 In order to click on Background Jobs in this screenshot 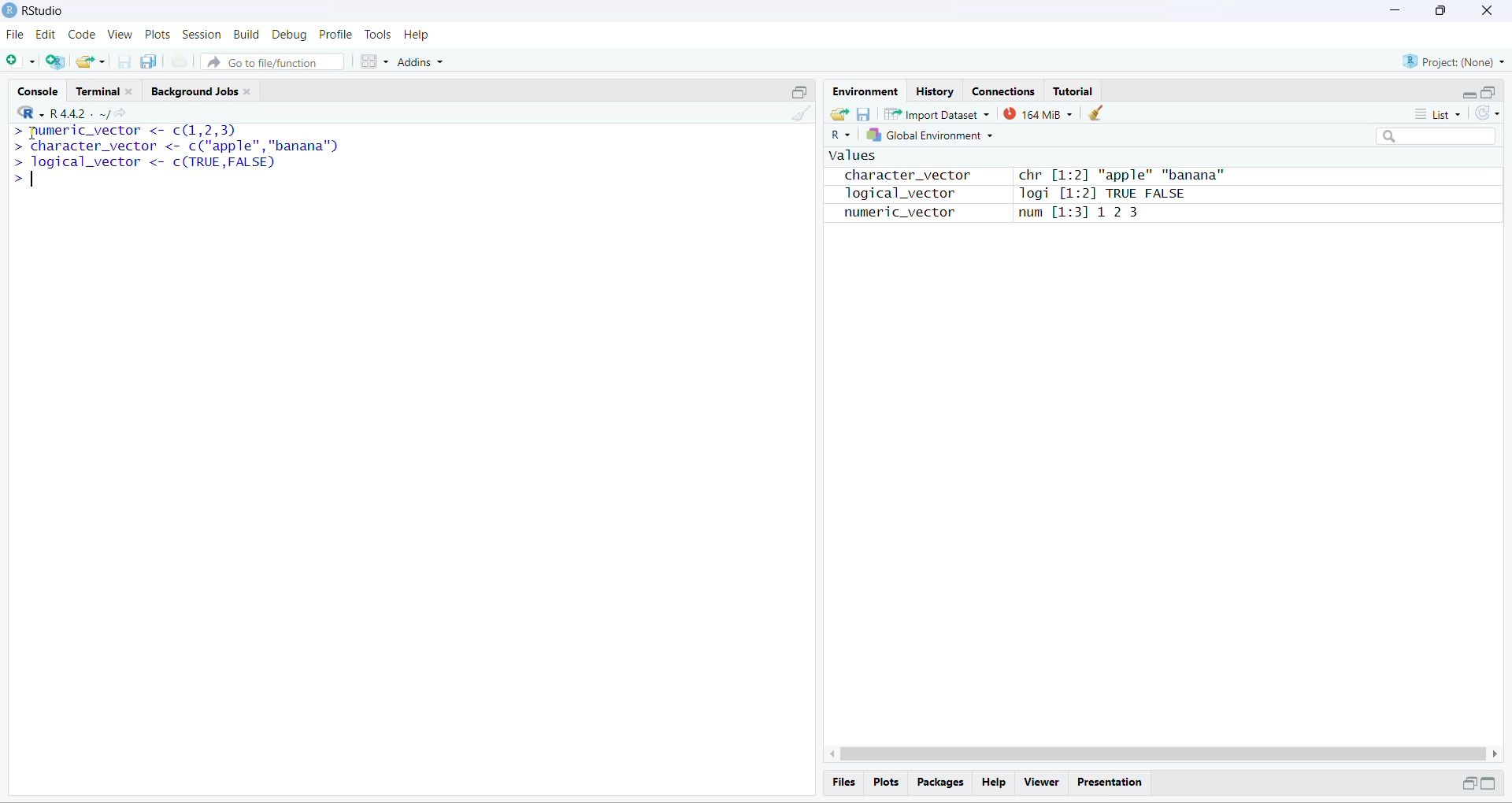, I will do `click(205, 90)`.